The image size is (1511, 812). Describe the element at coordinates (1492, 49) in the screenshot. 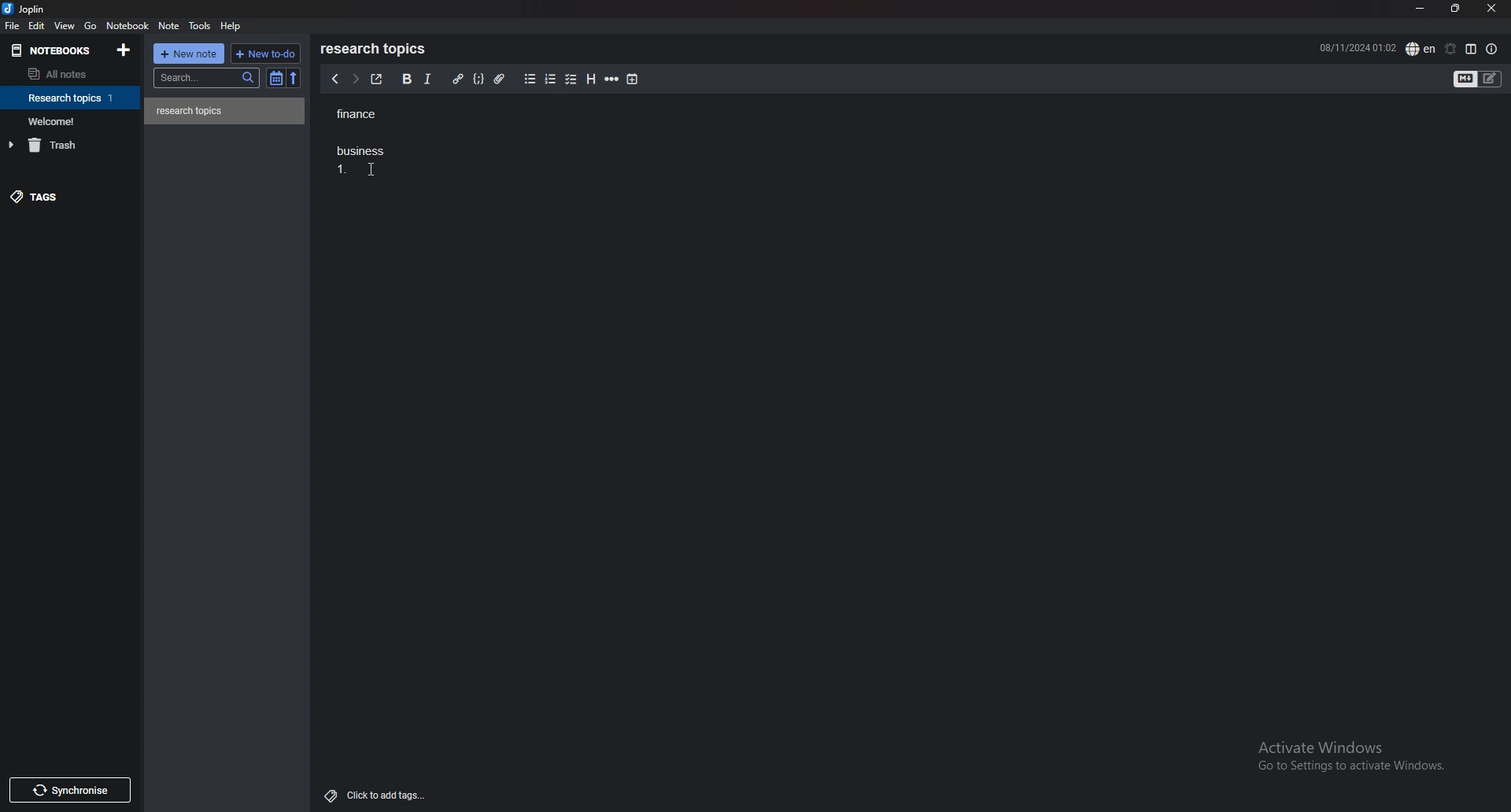

I see `note properties` at that location.